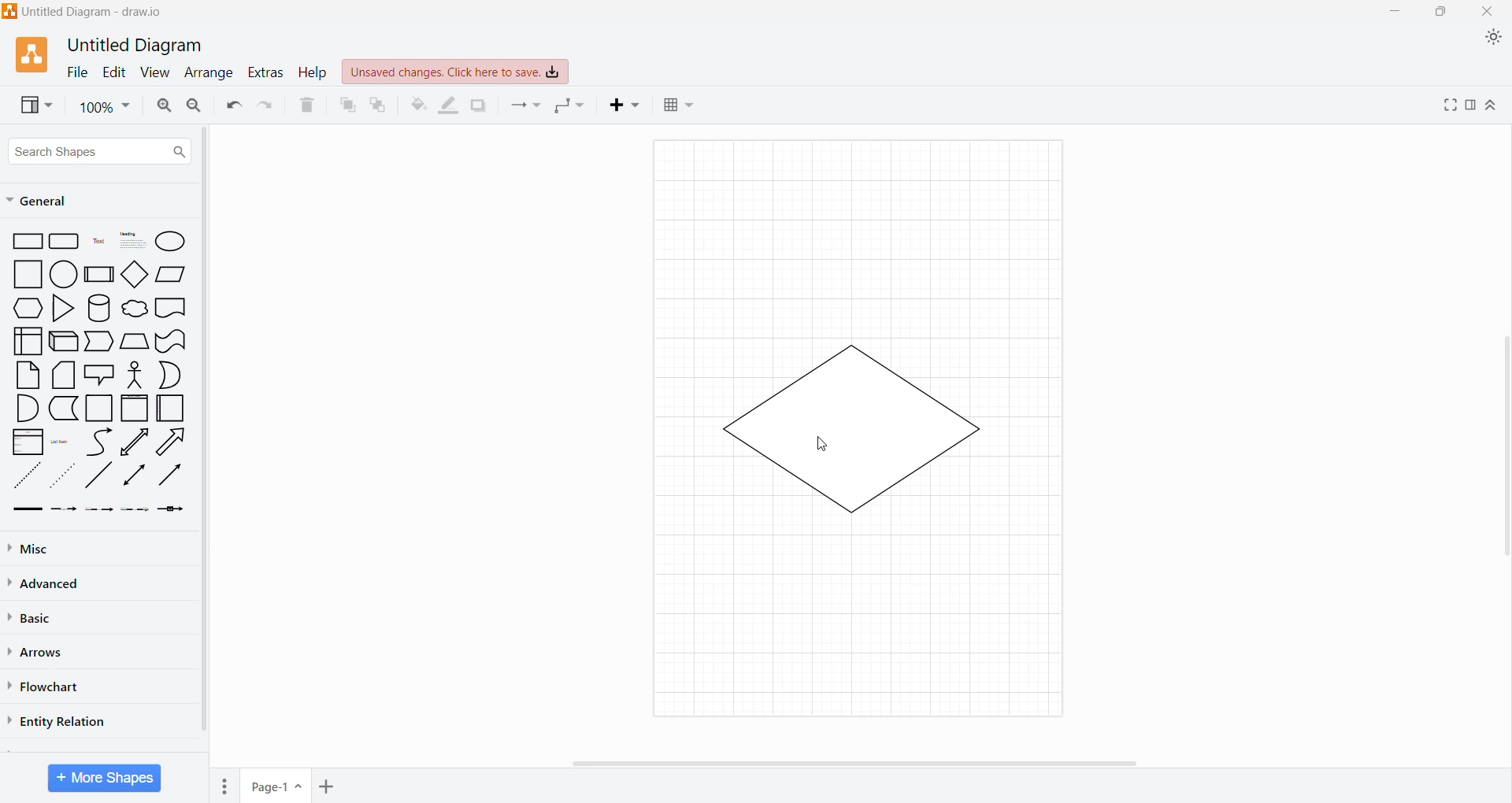  What do you see at coordinates (100, 512) in the screenshot?
I see `Connector with 2 Labels` at bounding box center [100, 512].